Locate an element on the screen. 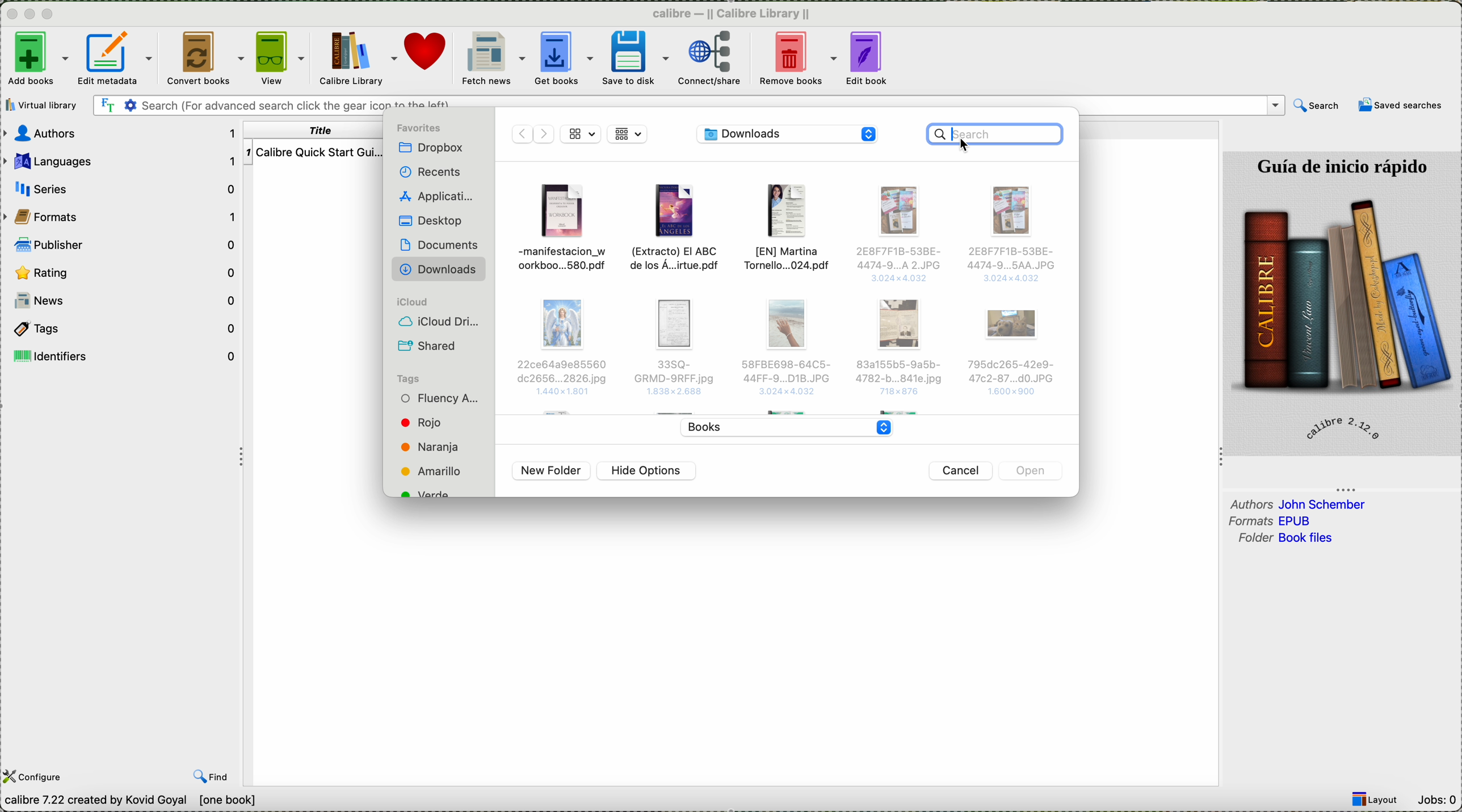   is located at coordinates (788, 346).